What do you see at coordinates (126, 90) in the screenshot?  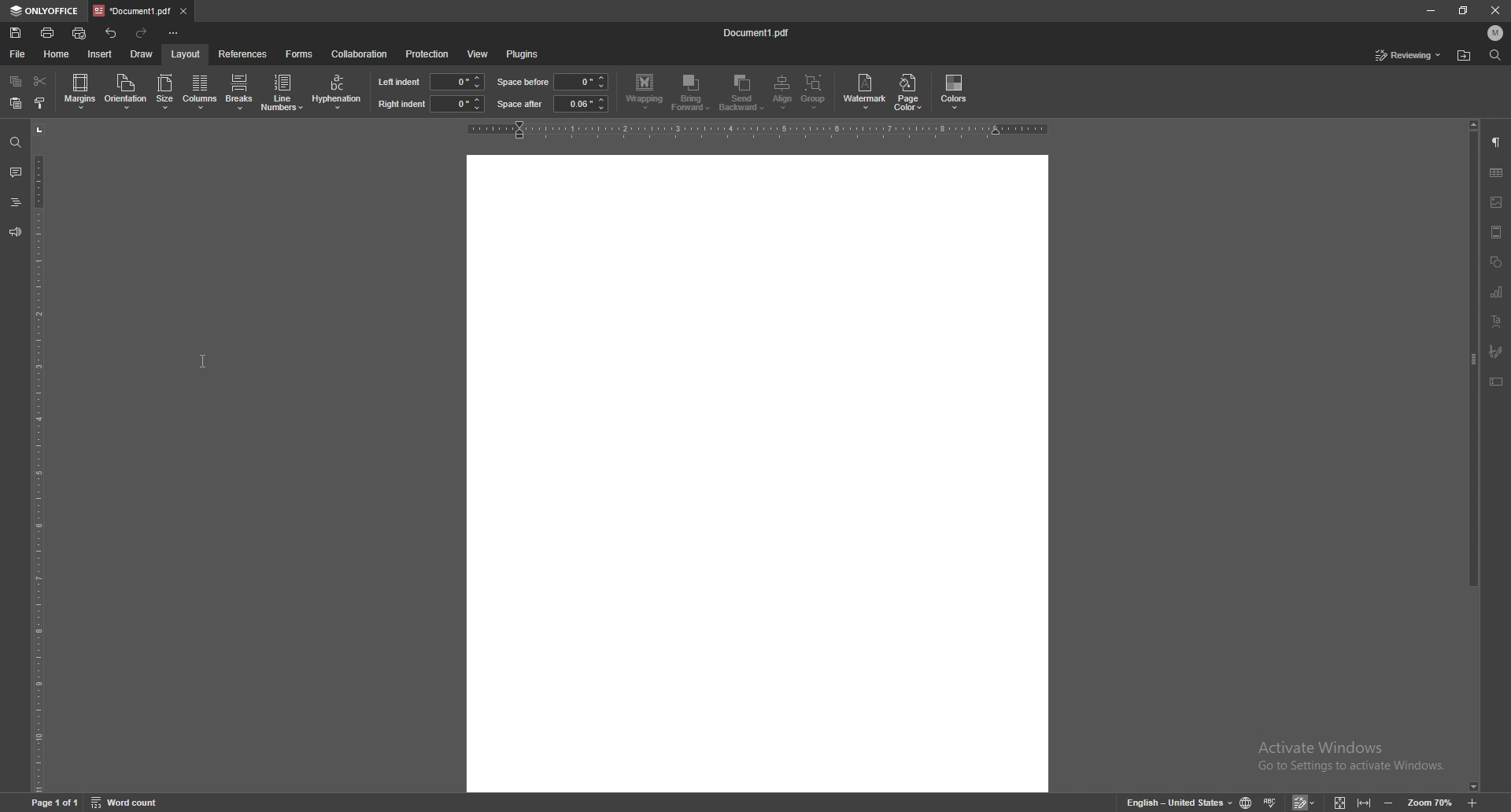 I see `orientation` at bounding box center [126, 90].